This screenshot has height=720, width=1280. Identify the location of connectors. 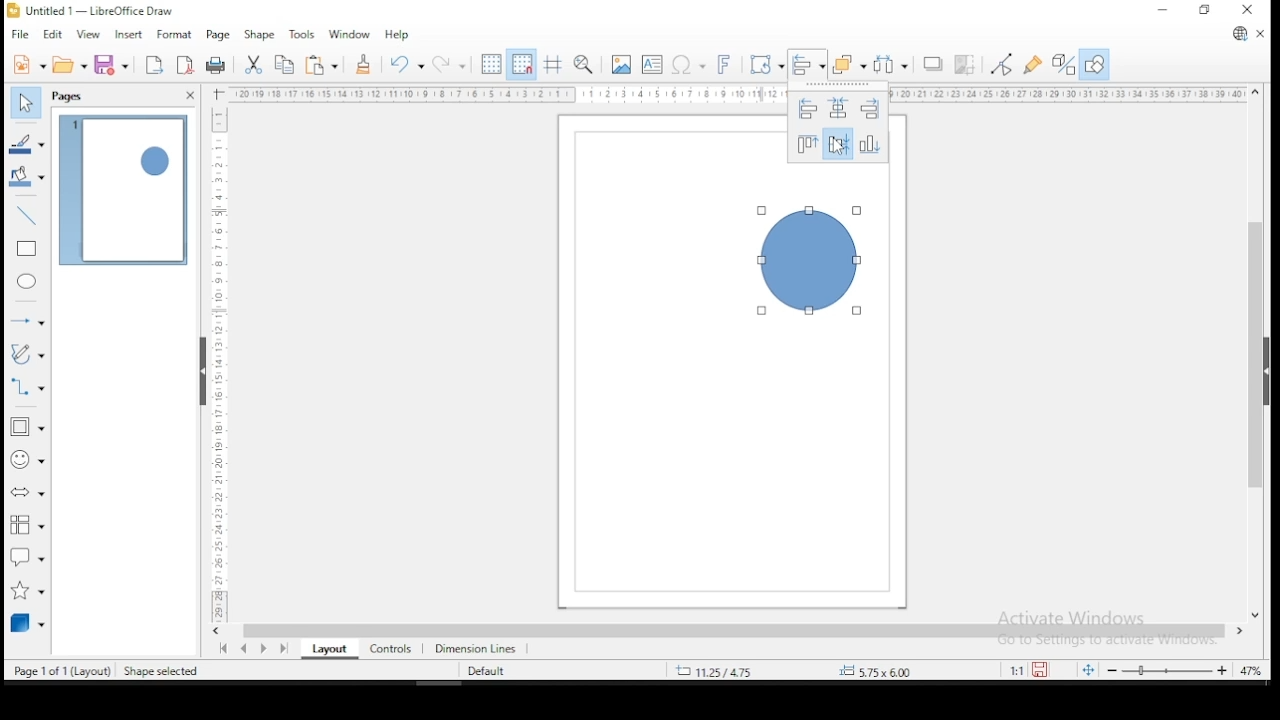
(25, 385).